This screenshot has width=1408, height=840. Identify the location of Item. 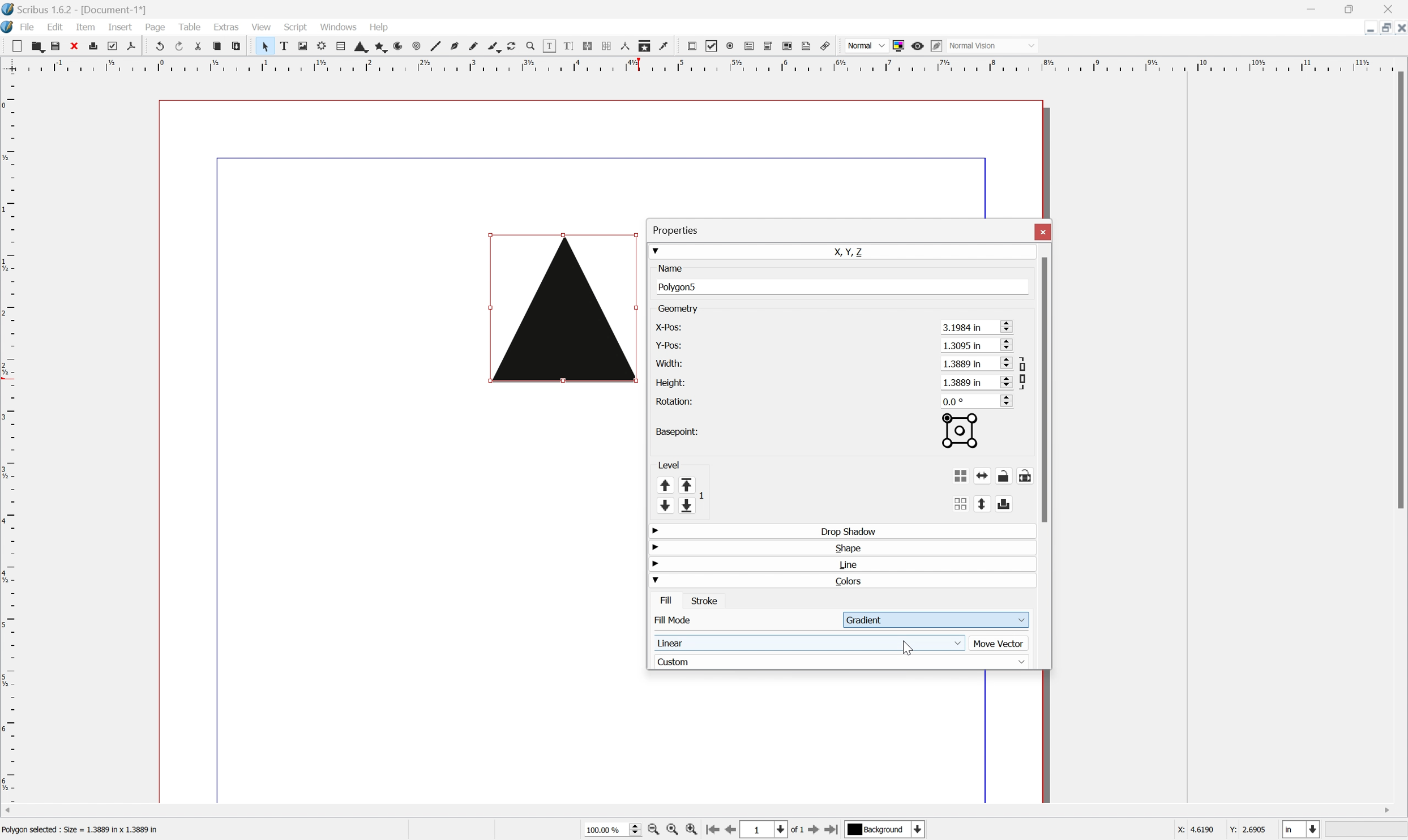
(84, 27).